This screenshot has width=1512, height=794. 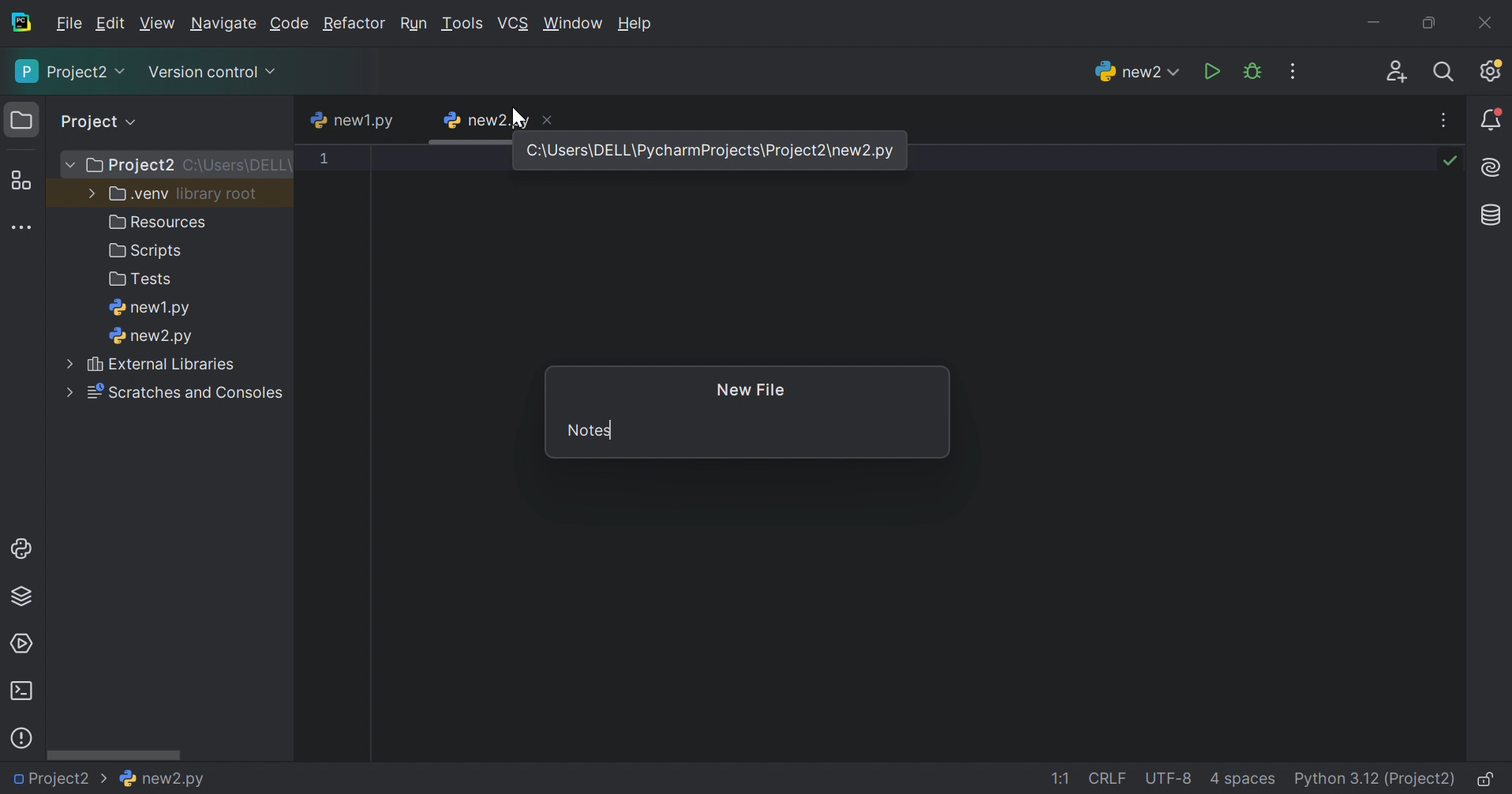 I want to click on Project2, so click(x=61, y=780).